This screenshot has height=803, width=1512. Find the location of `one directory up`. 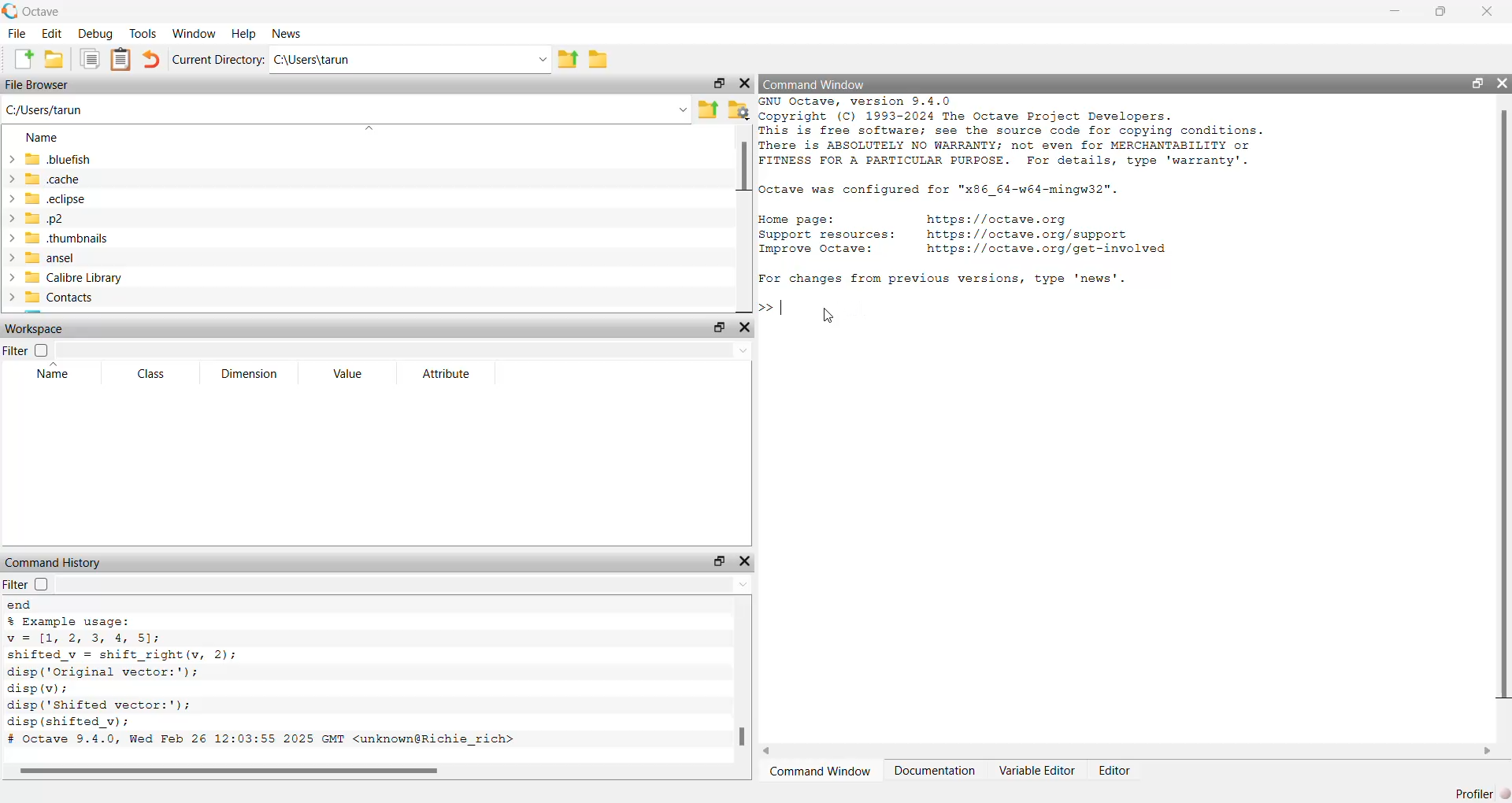

one directory up is located at coordinates (567, 61).